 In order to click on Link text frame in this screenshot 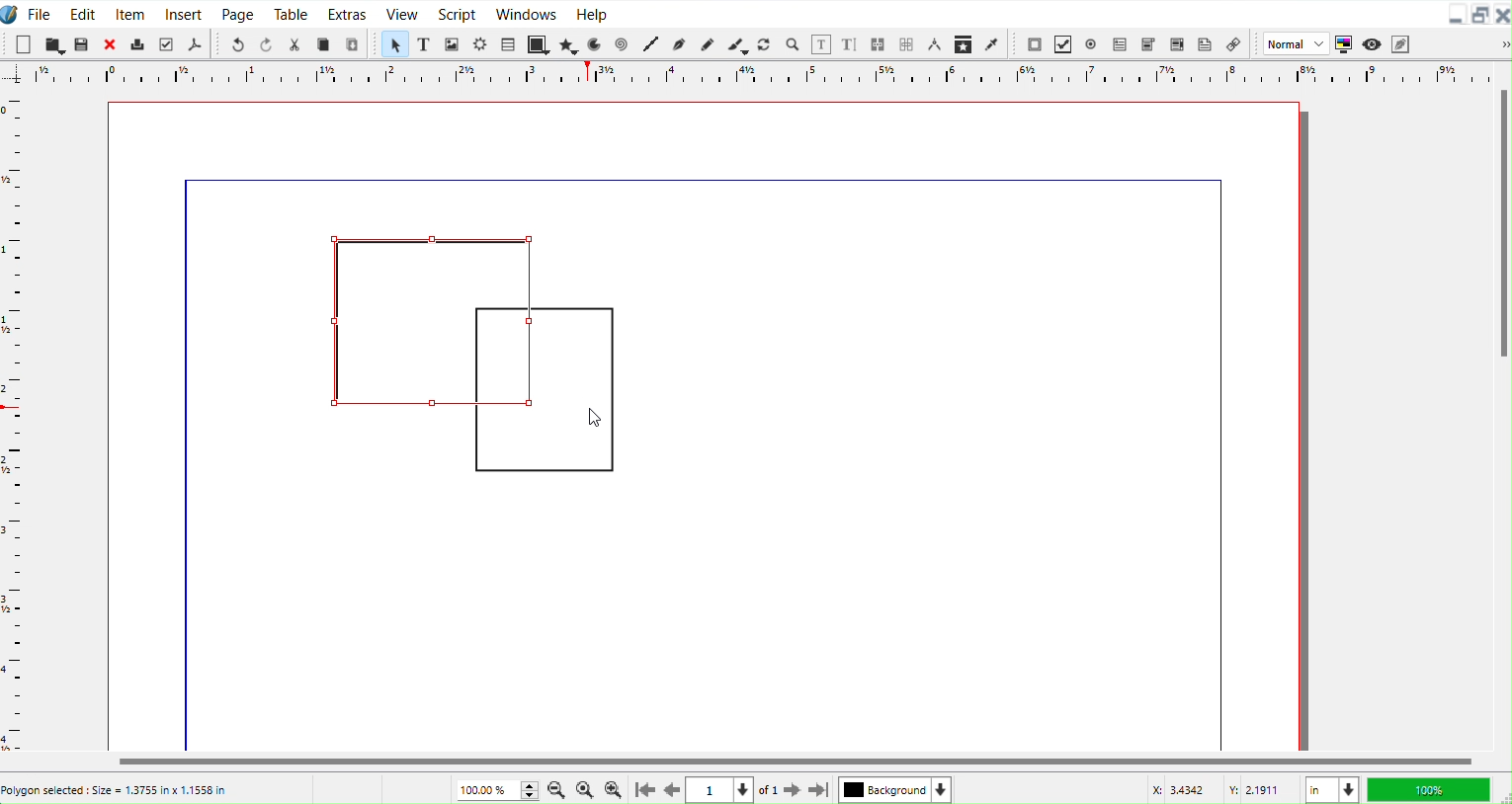, I will do `click(880, 44)`.